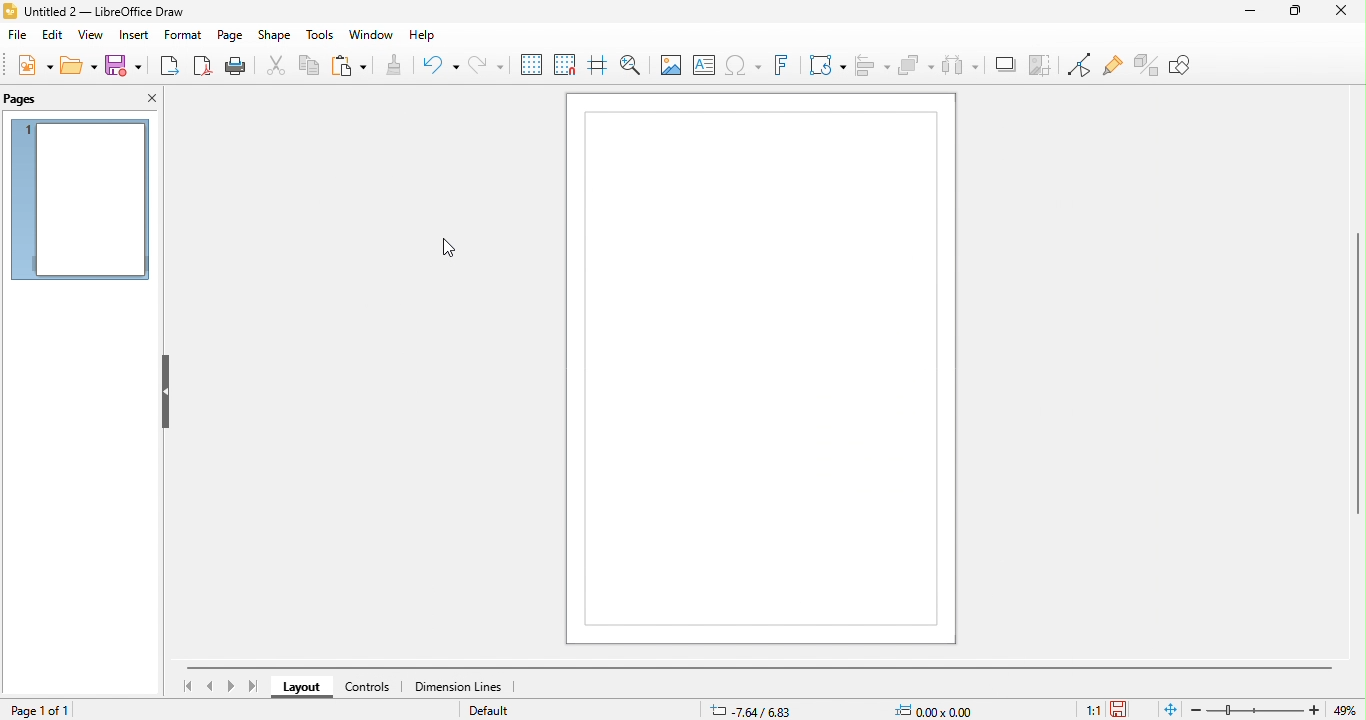 The width and height of the screenshot is (1366, 720). I want to click on export as pdf, so click(204, 66).